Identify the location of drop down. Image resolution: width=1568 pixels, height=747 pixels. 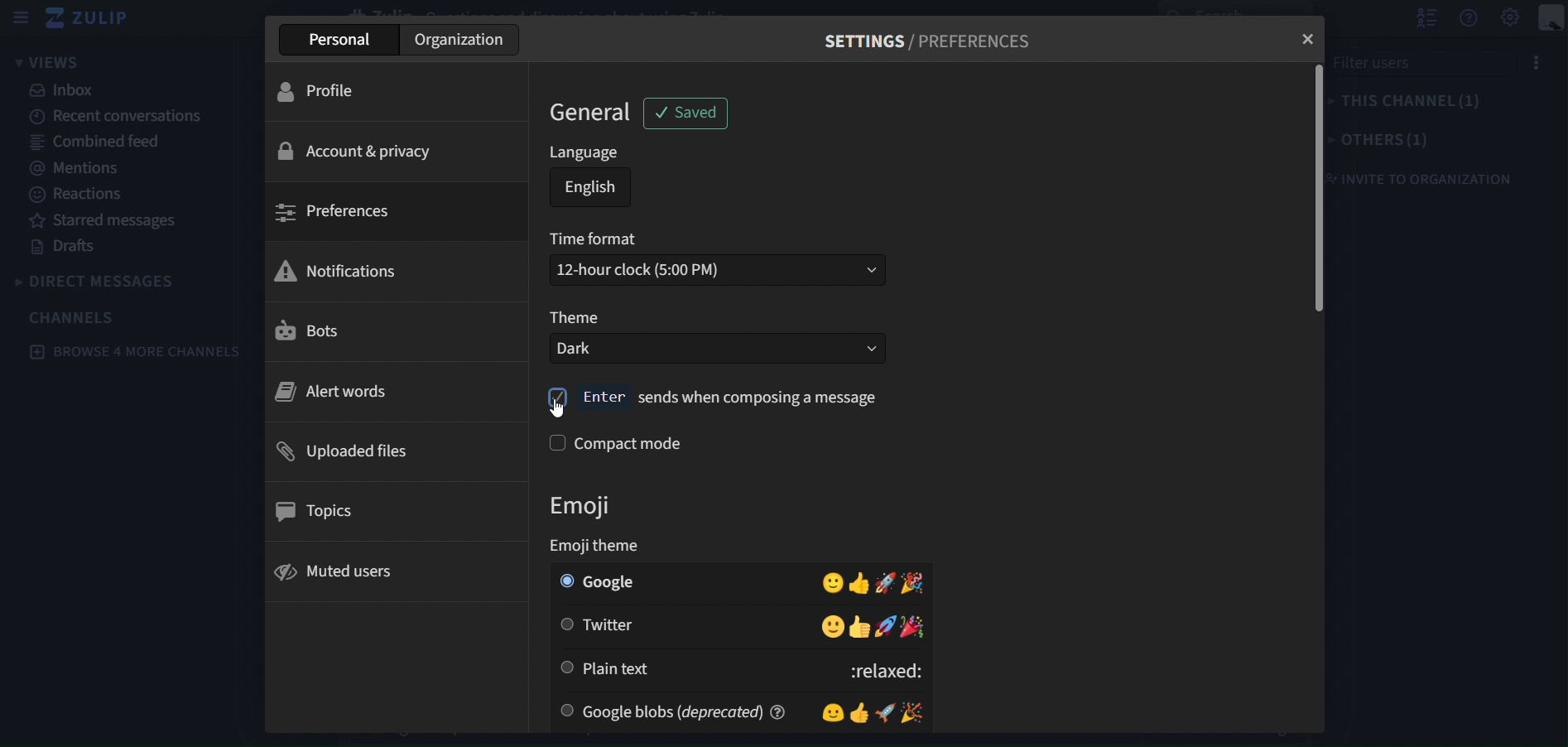
(856, 269).